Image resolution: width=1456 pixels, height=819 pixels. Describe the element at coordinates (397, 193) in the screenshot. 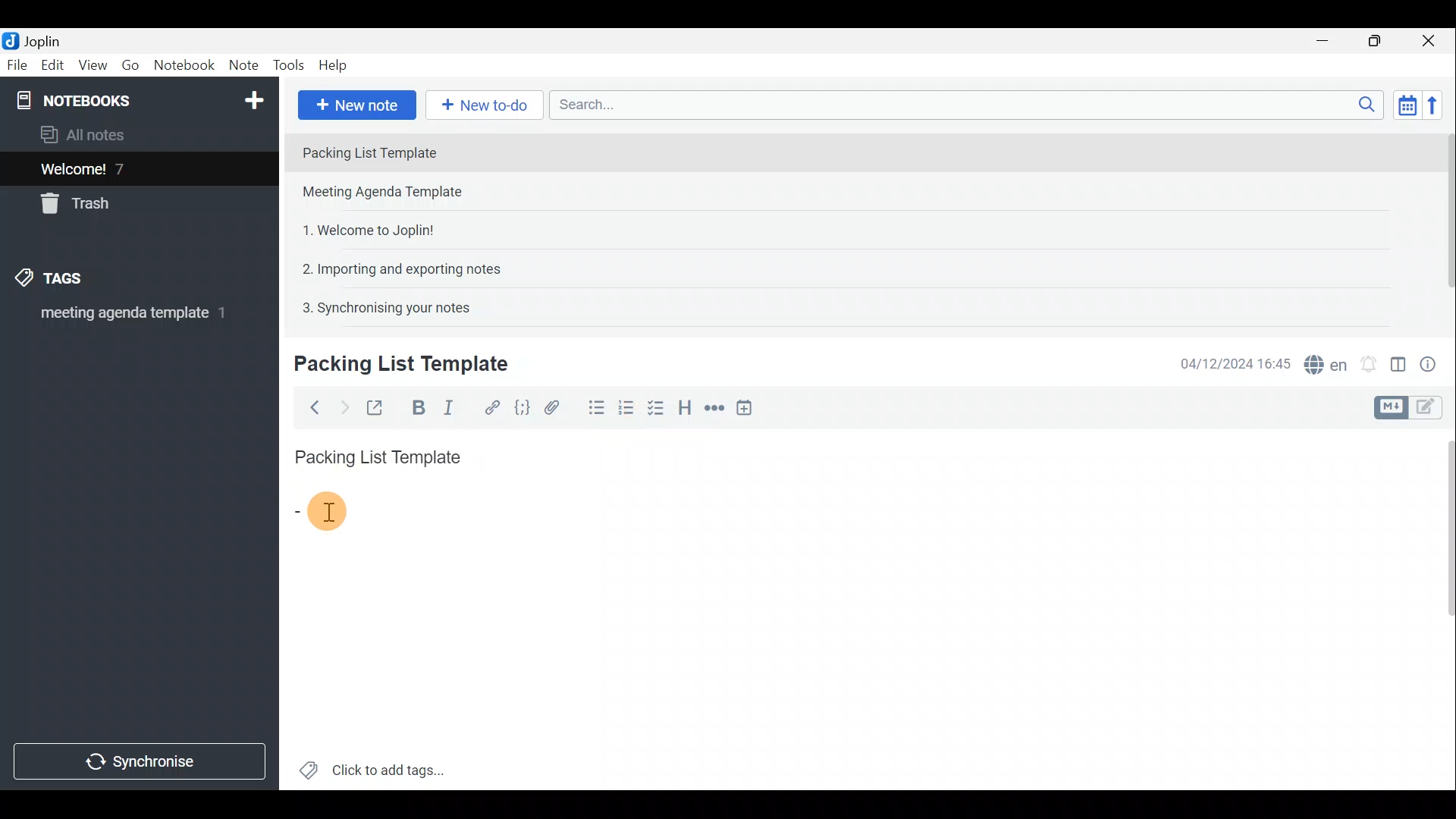

I see `Note 2` at that location.